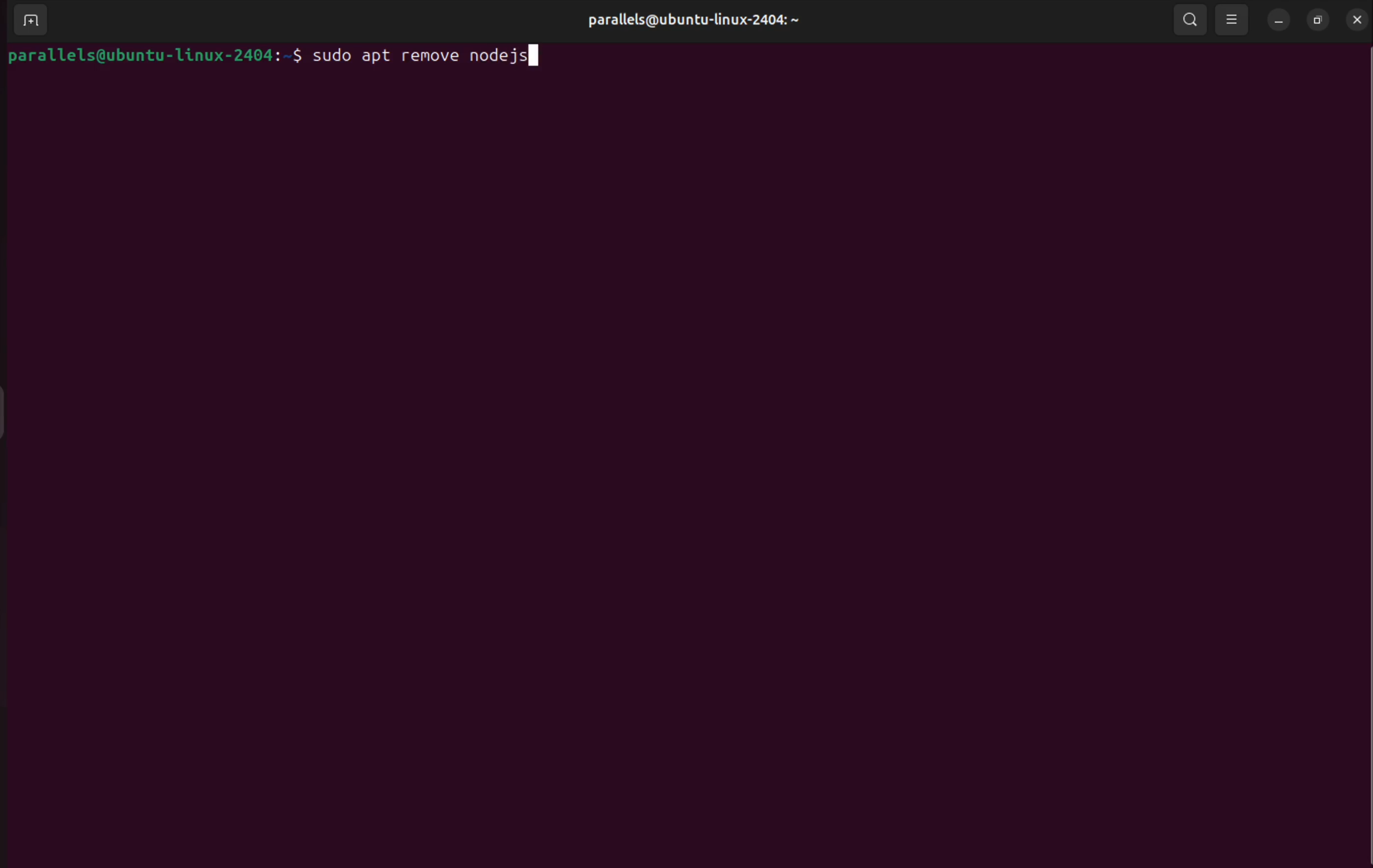  I want to click on parallels@ubuntu-linux-2404: $, so click(155, 56).